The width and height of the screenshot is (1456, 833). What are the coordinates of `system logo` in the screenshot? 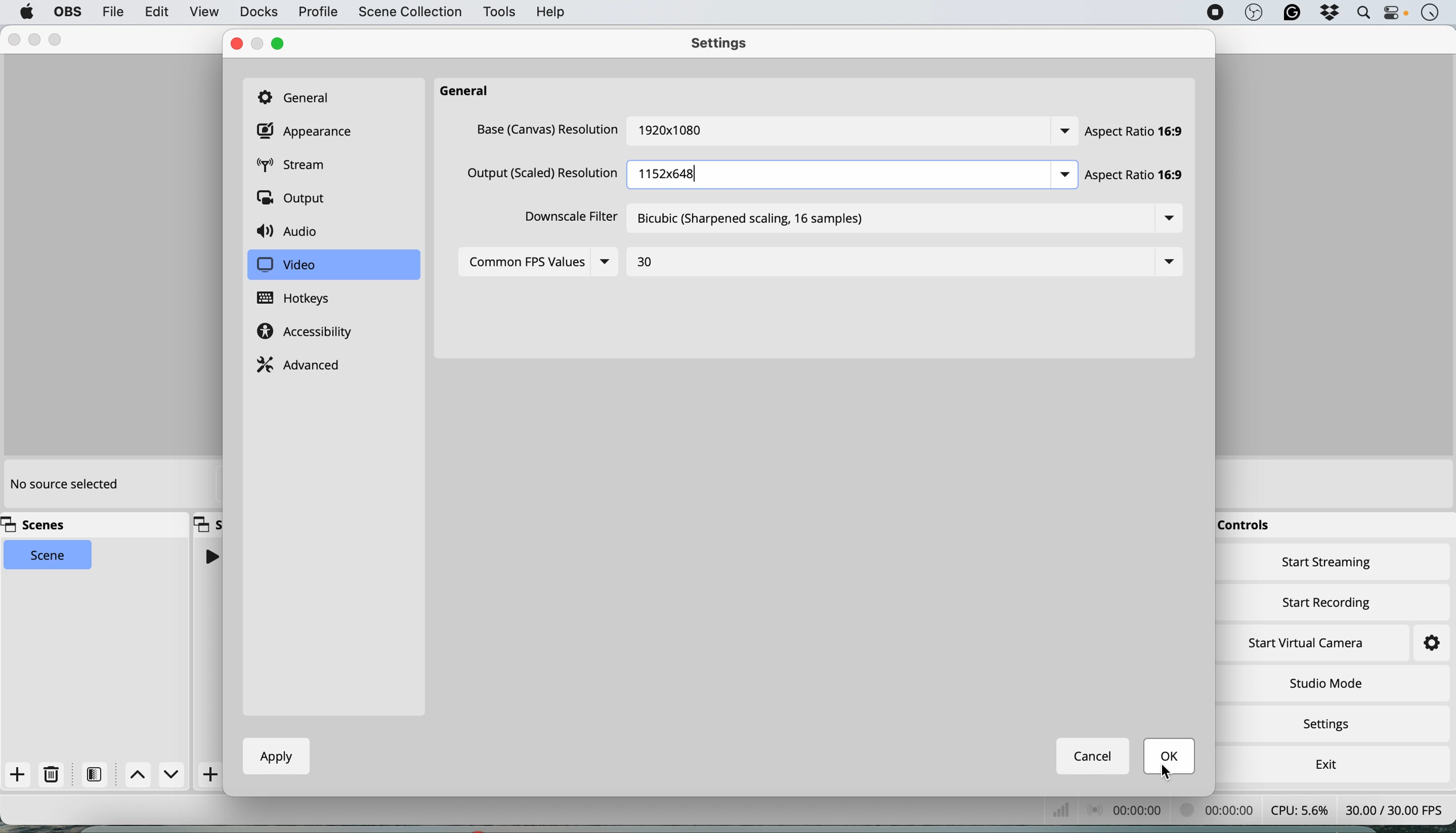 It's located at (27, 12).